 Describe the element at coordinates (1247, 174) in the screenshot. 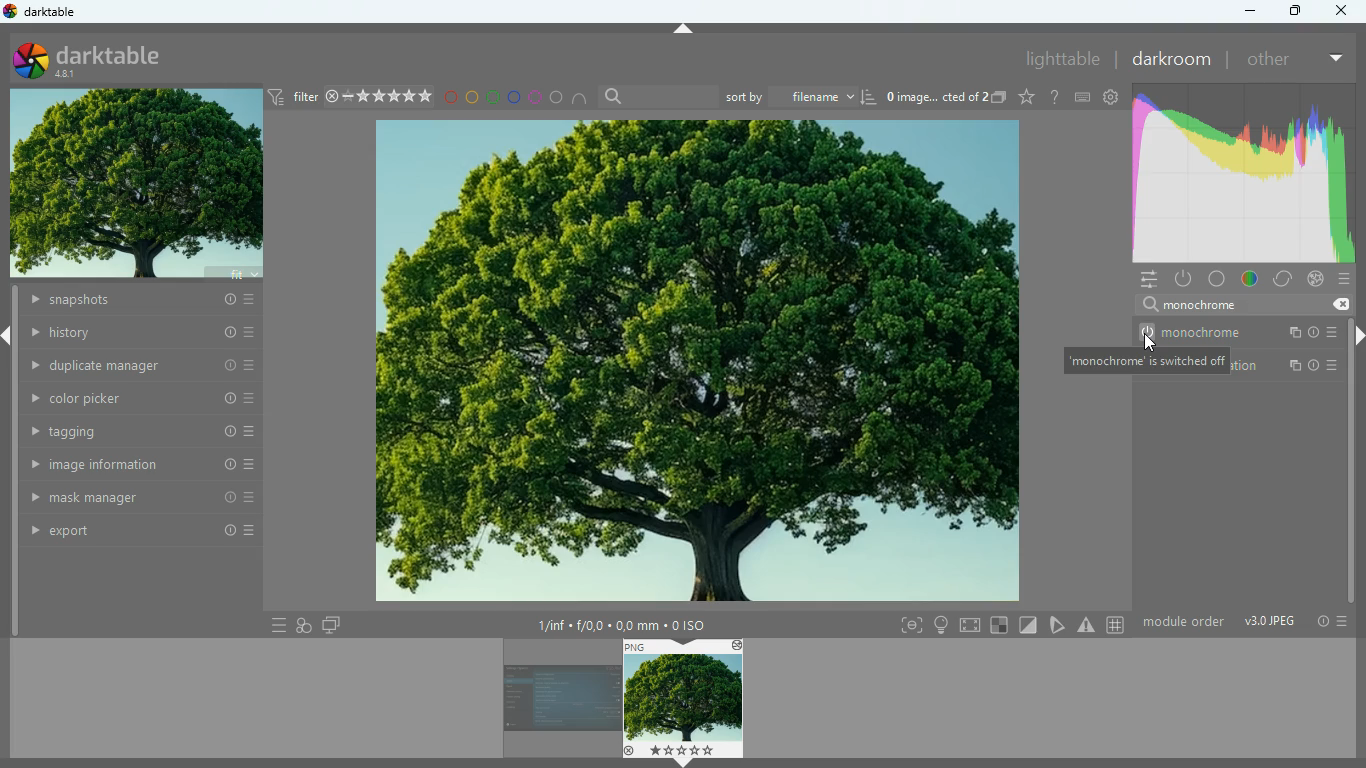

I see `gradient` at that location.